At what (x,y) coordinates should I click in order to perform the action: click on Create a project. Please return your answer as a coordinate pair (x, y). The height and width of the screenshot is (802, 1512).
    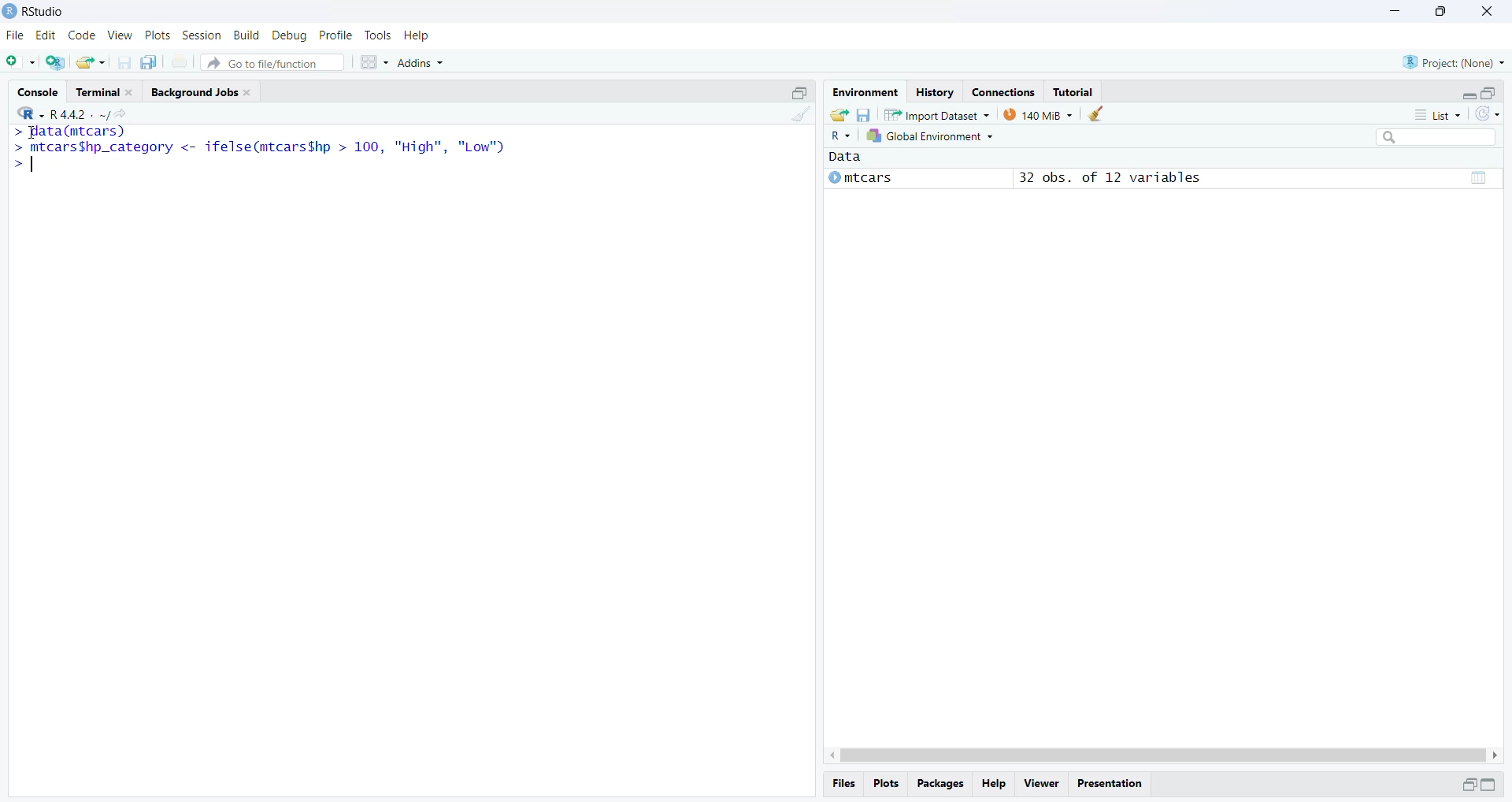
    Looking at the image, I should click on (56, 61).